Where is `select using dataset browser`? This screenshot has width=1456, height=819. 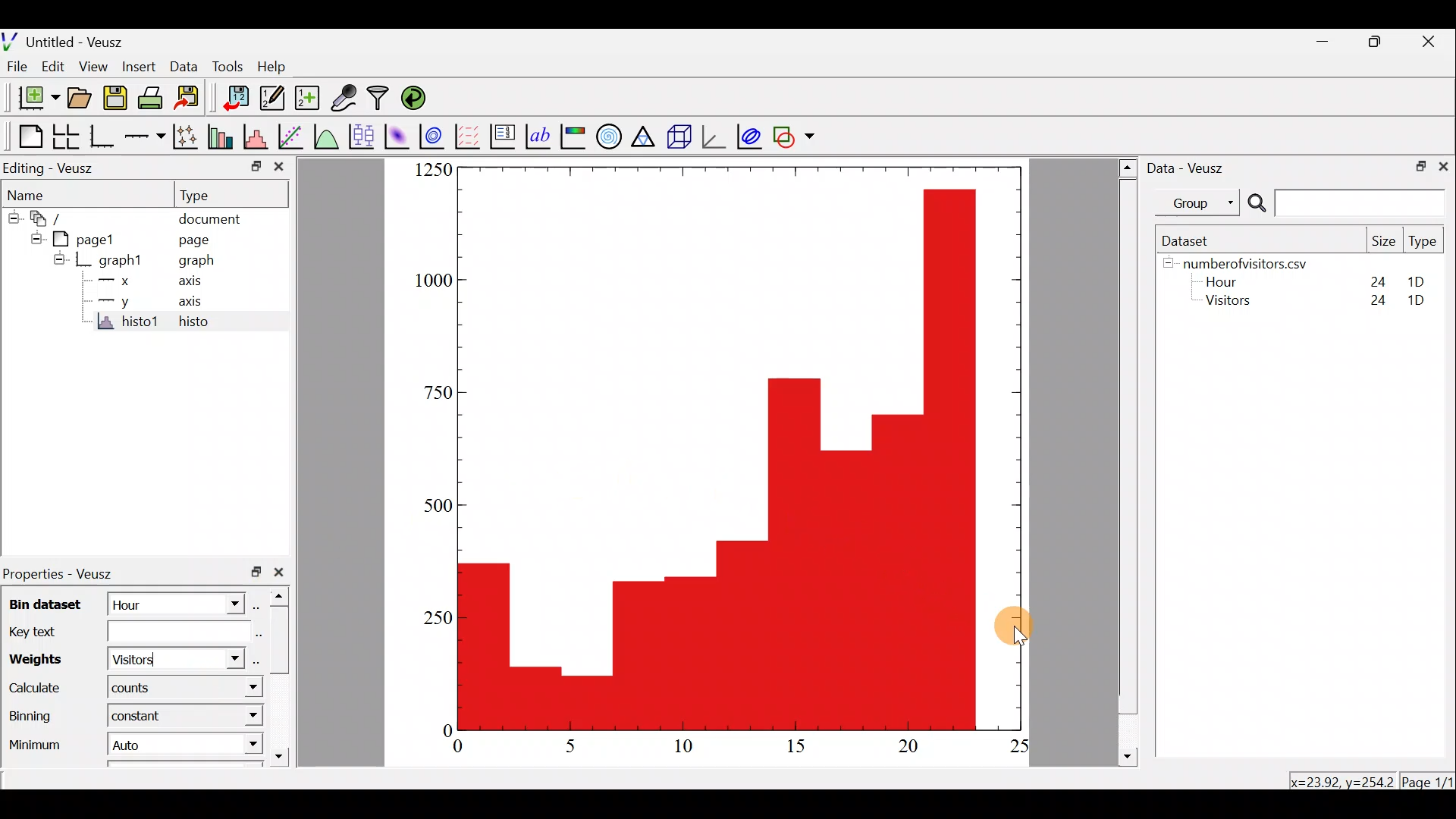 select using dataset browser is located at coordinates (255, 663).